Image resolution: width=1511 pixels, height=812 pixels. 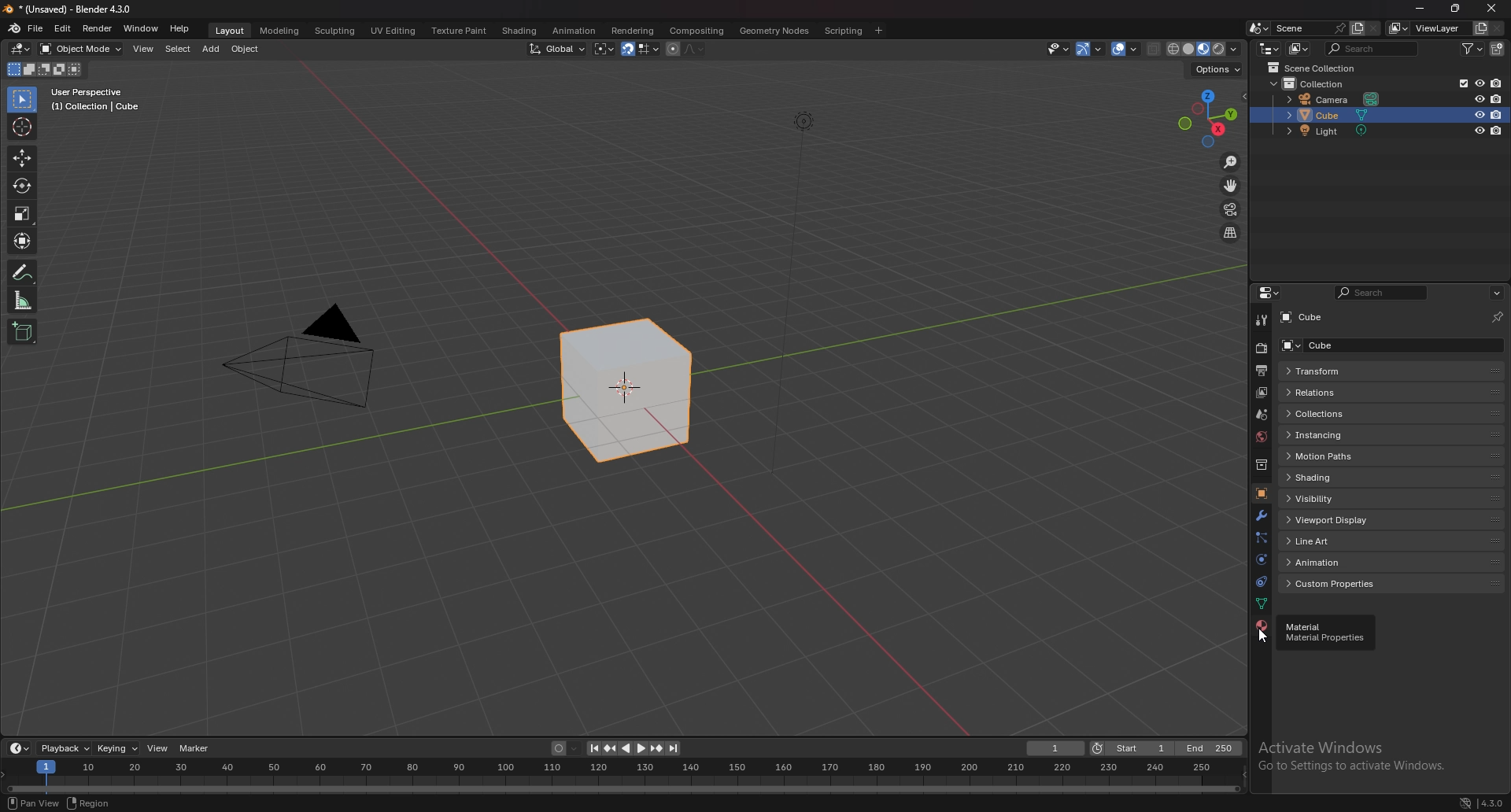 I want to click on select, so click(x=27, y=803).